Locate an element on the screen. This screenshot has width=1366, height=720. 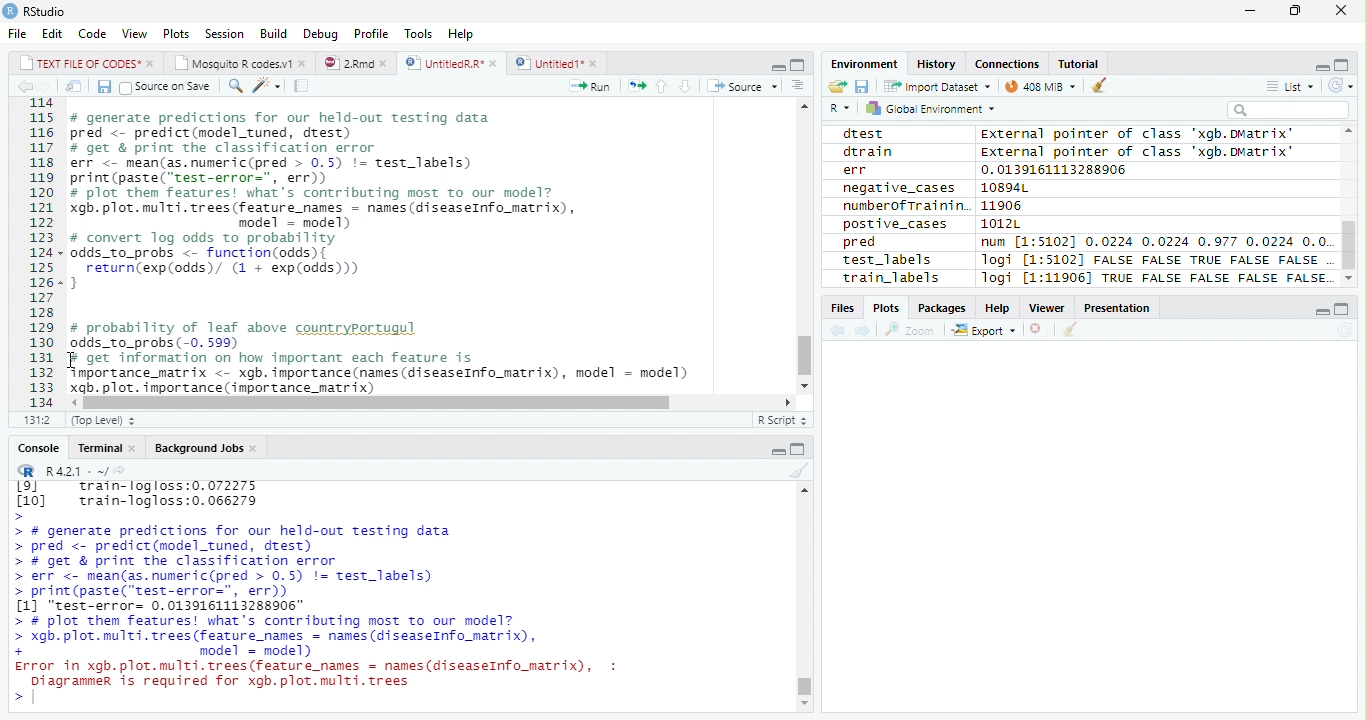
Previous is located at coordinates (835, 329).